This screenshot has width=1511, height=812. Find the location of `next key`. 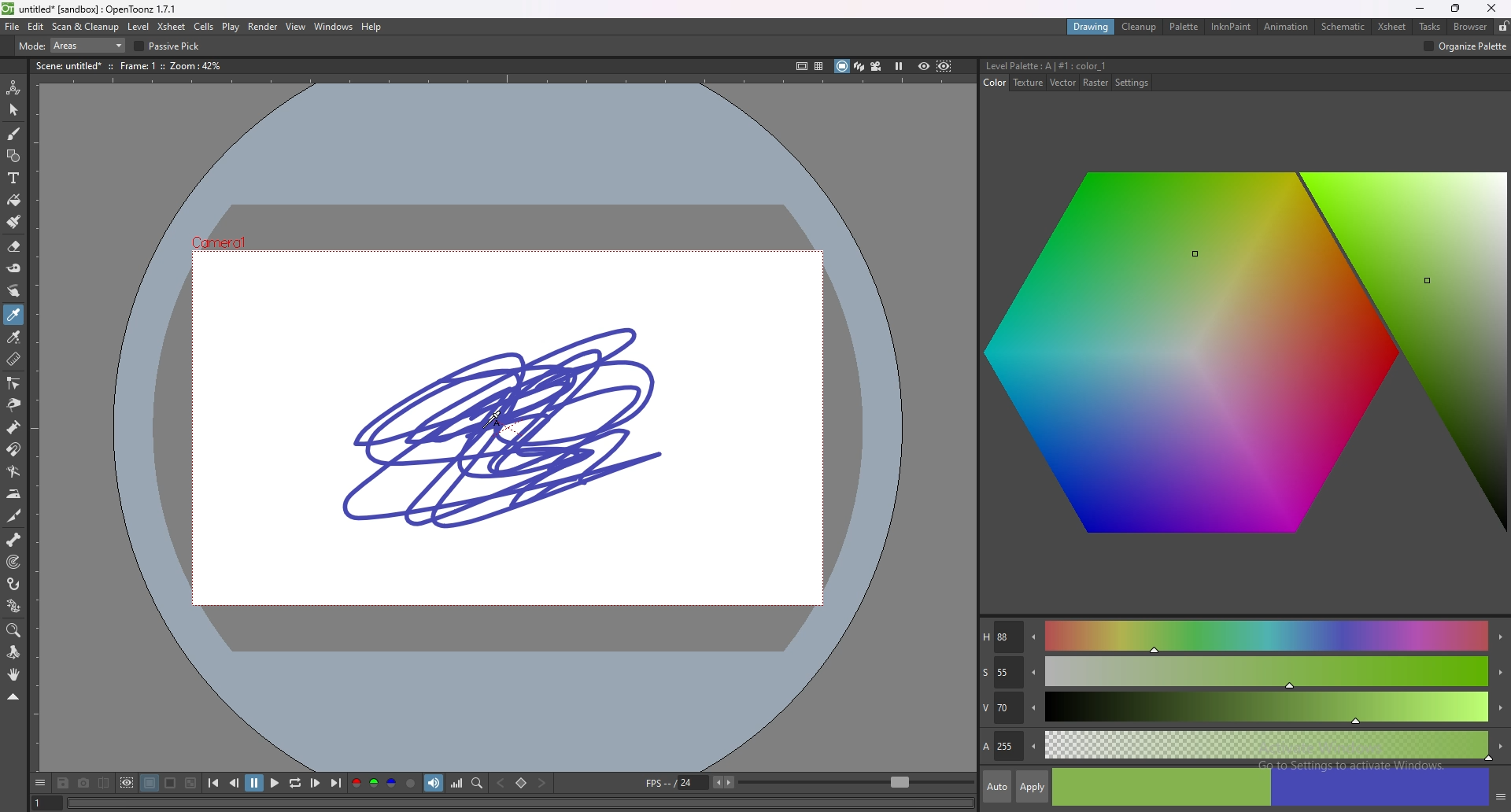

next key is located at coordinates (542, 783).